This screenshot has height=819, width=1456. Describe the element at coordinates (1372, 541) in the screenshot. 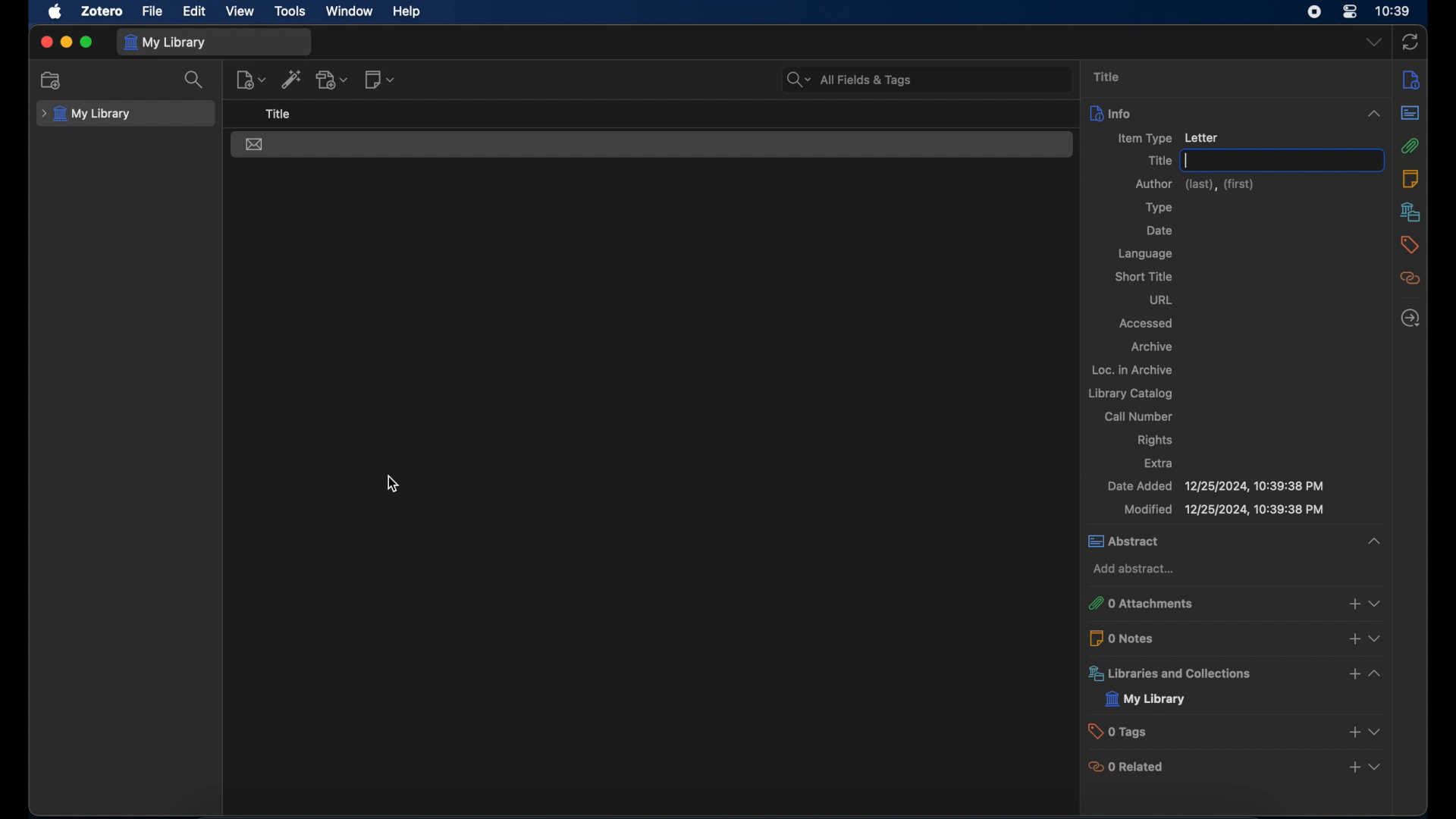

I see `collapse` at that location.